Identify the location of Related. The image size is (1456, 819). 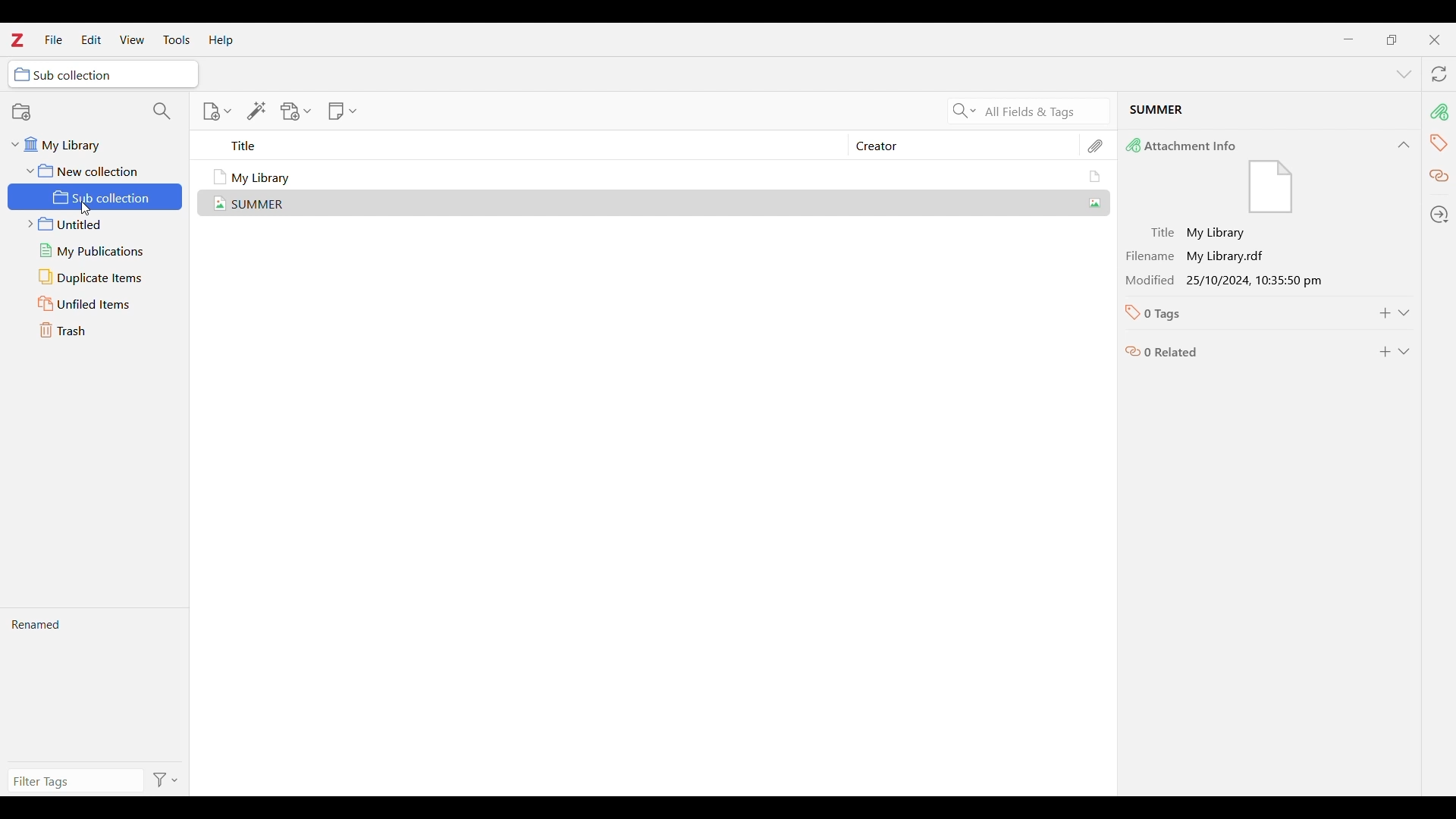
(1439, 177).